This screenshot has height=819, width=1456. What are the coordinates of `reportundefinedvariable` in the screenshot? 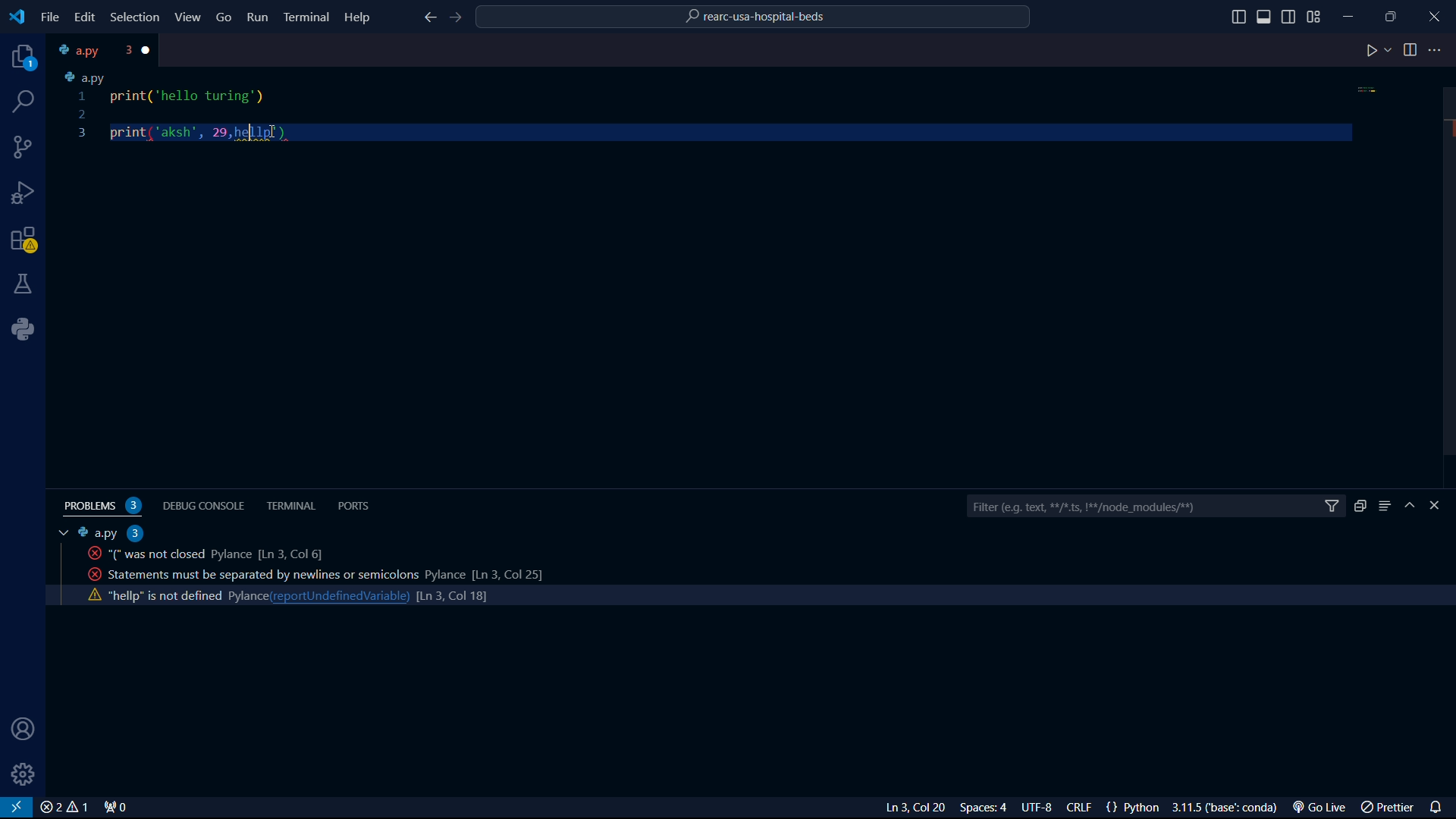 It's located at (341, 596).